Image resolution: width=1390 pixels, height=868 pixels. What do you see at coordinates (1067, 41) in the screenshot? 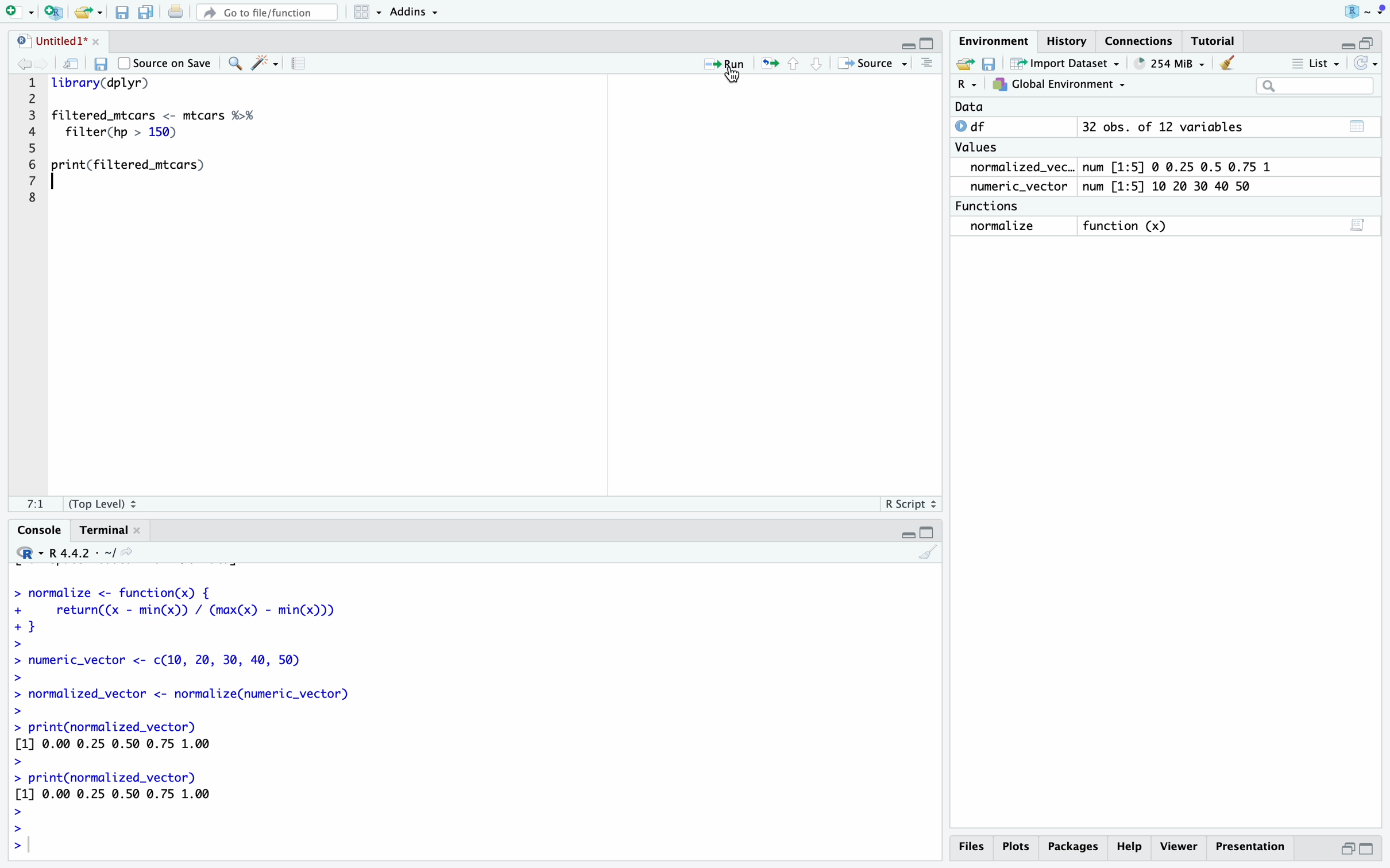
I see `History` at bounding box center [1067, 41].